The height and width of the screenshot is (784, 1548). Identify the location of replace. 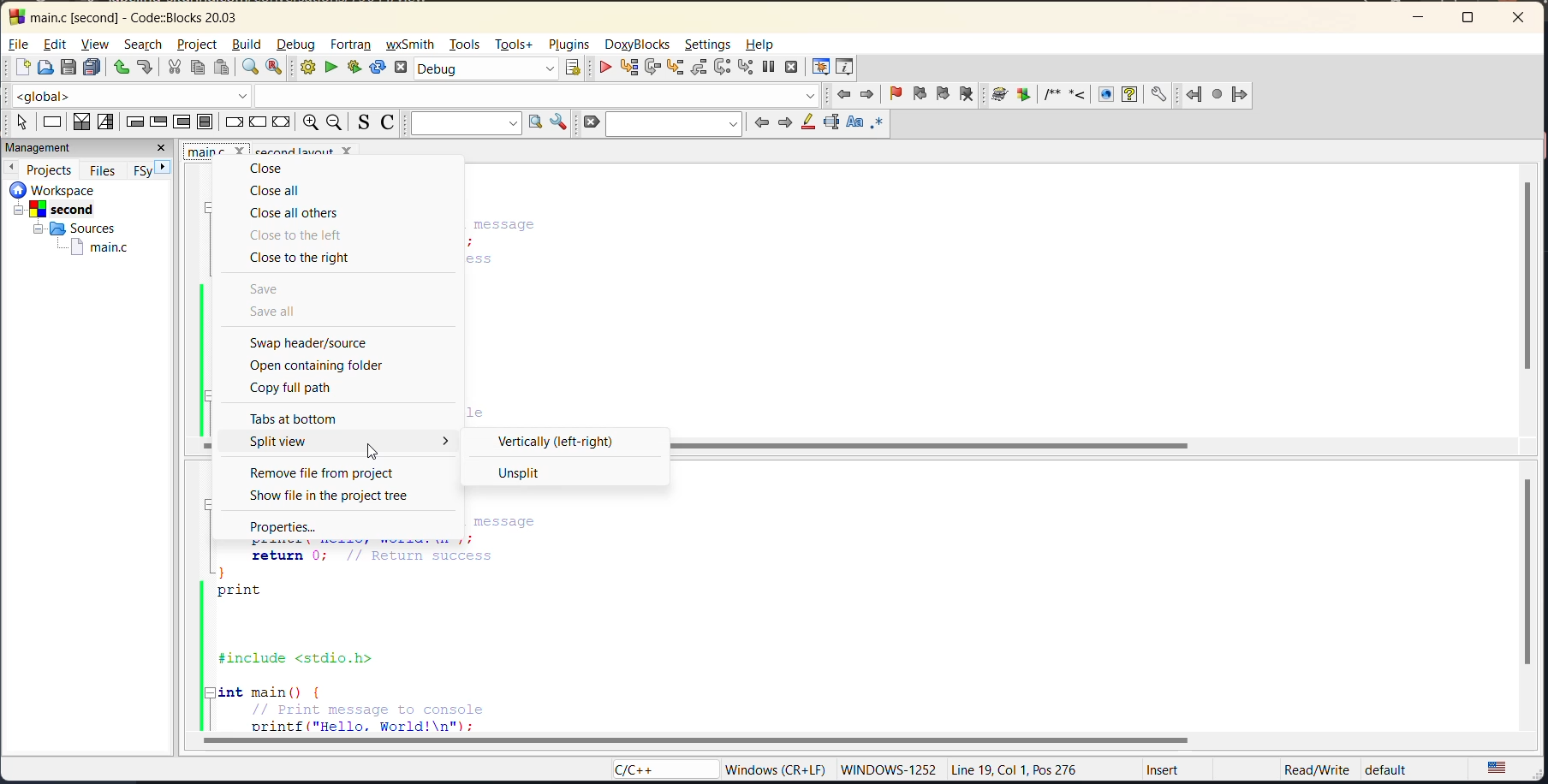
(277, 68).